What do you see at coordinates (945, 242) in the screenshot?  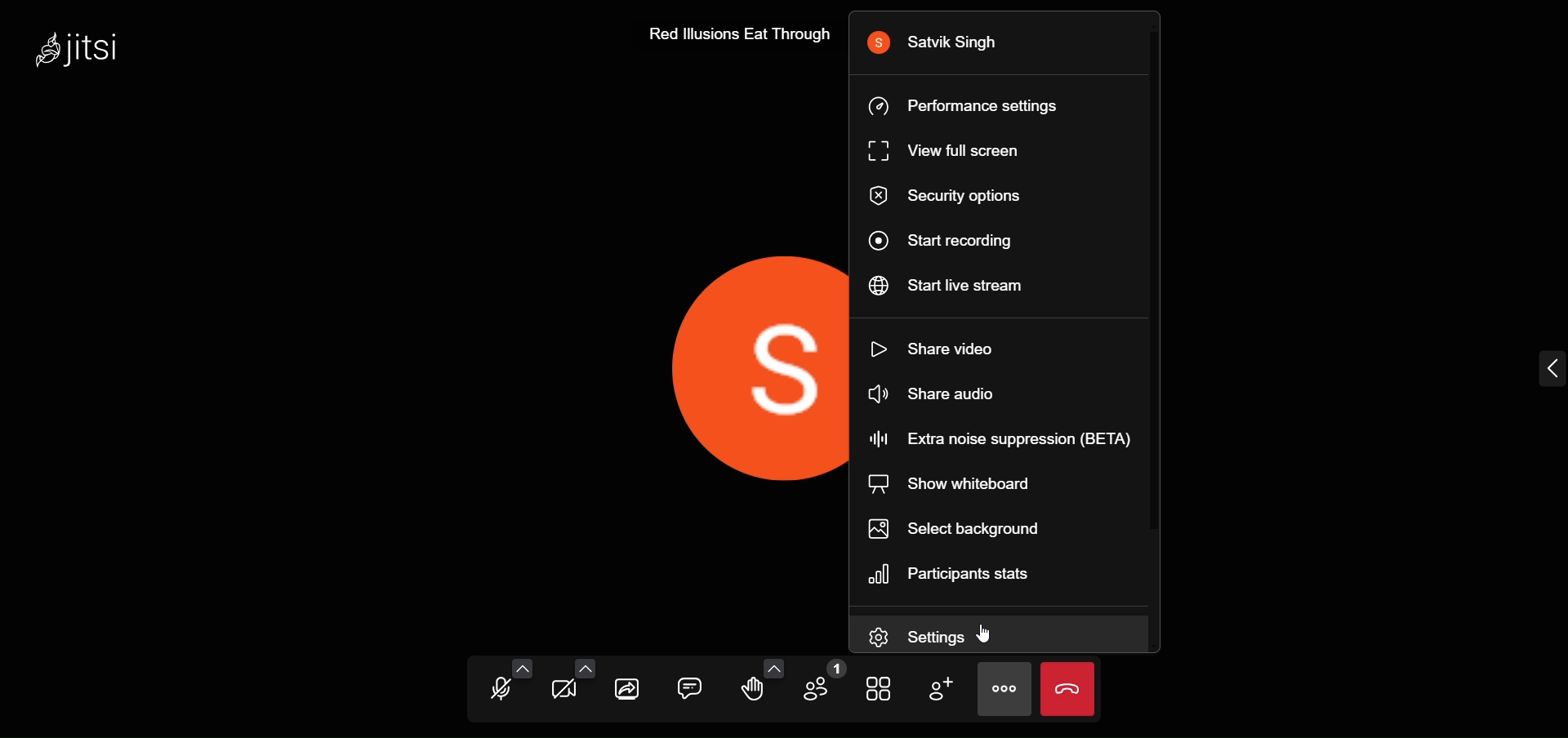 I see `start recording` at bounding box center [945, 242].